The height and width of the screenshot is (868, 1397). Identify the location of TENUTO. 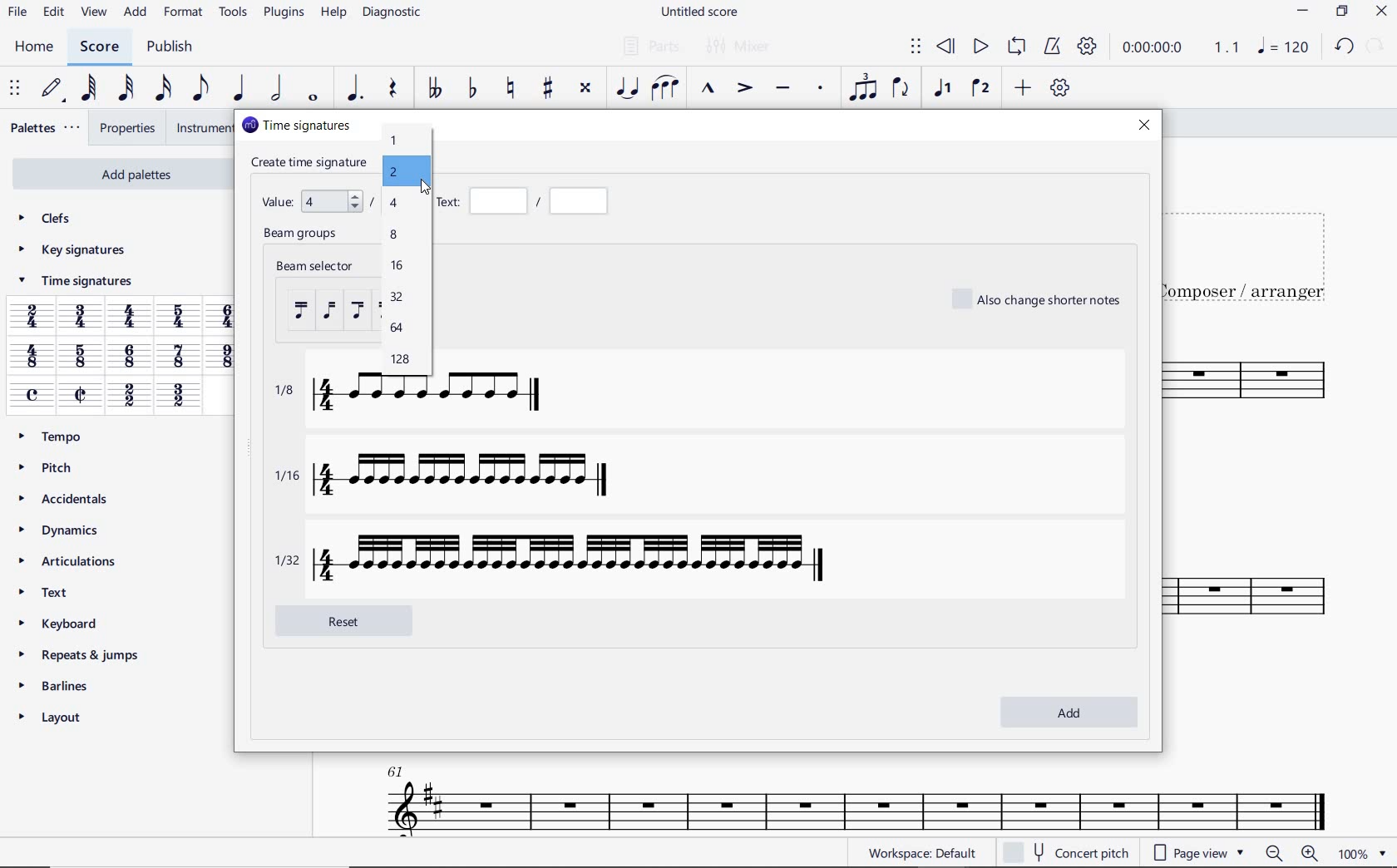
(782, 89).